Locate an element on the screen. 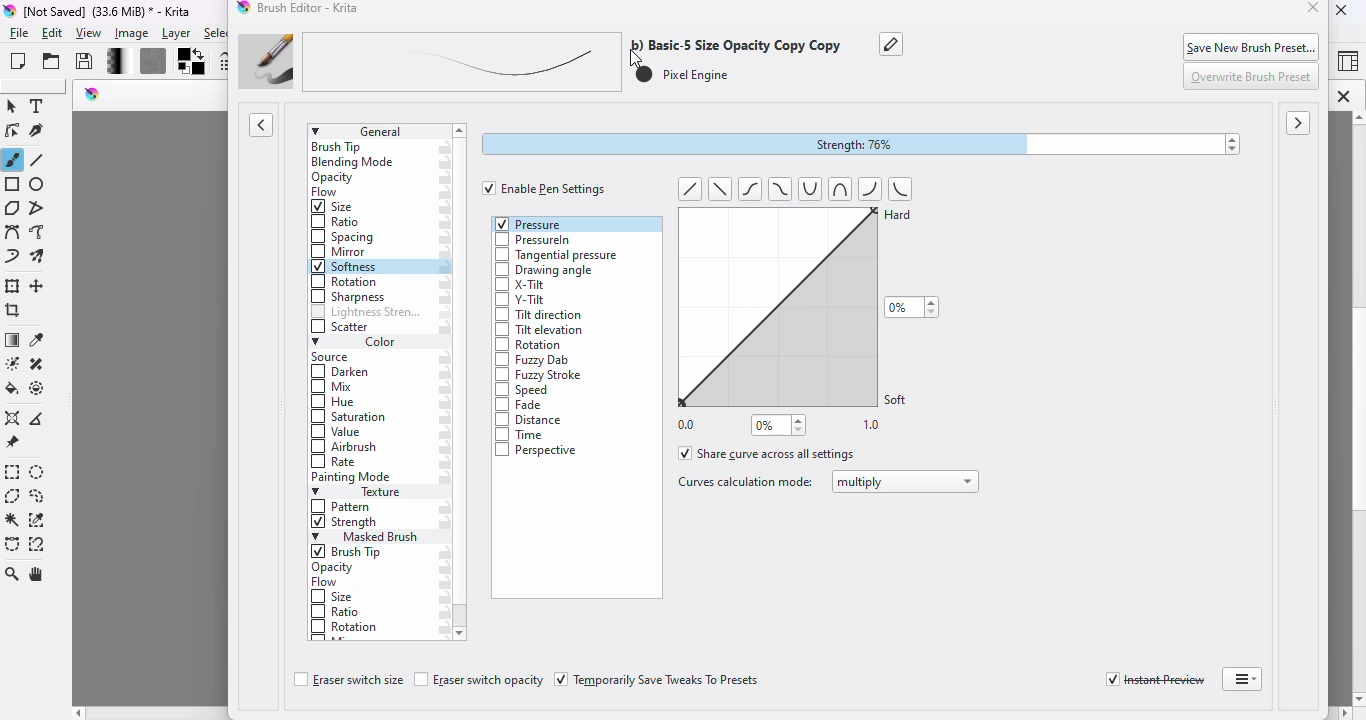 This screenshot has width=1366, height=720. multiply is located at coordinates (906, 482).